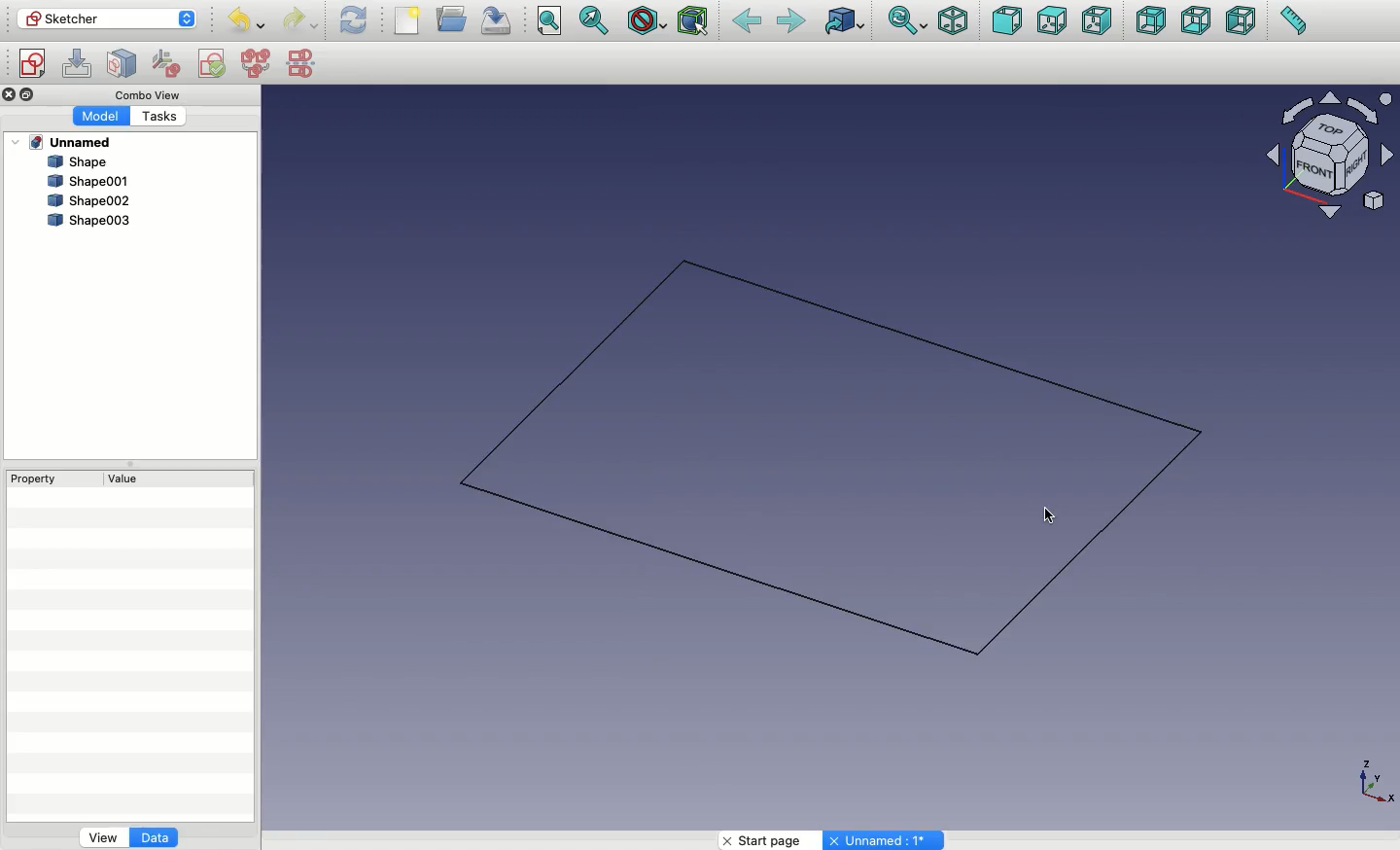 The image size is (1400, 850). What do you see at coordinates (848, 22) in the screenshot?
I see `Go to linked object` at bounding box center [848, 22].